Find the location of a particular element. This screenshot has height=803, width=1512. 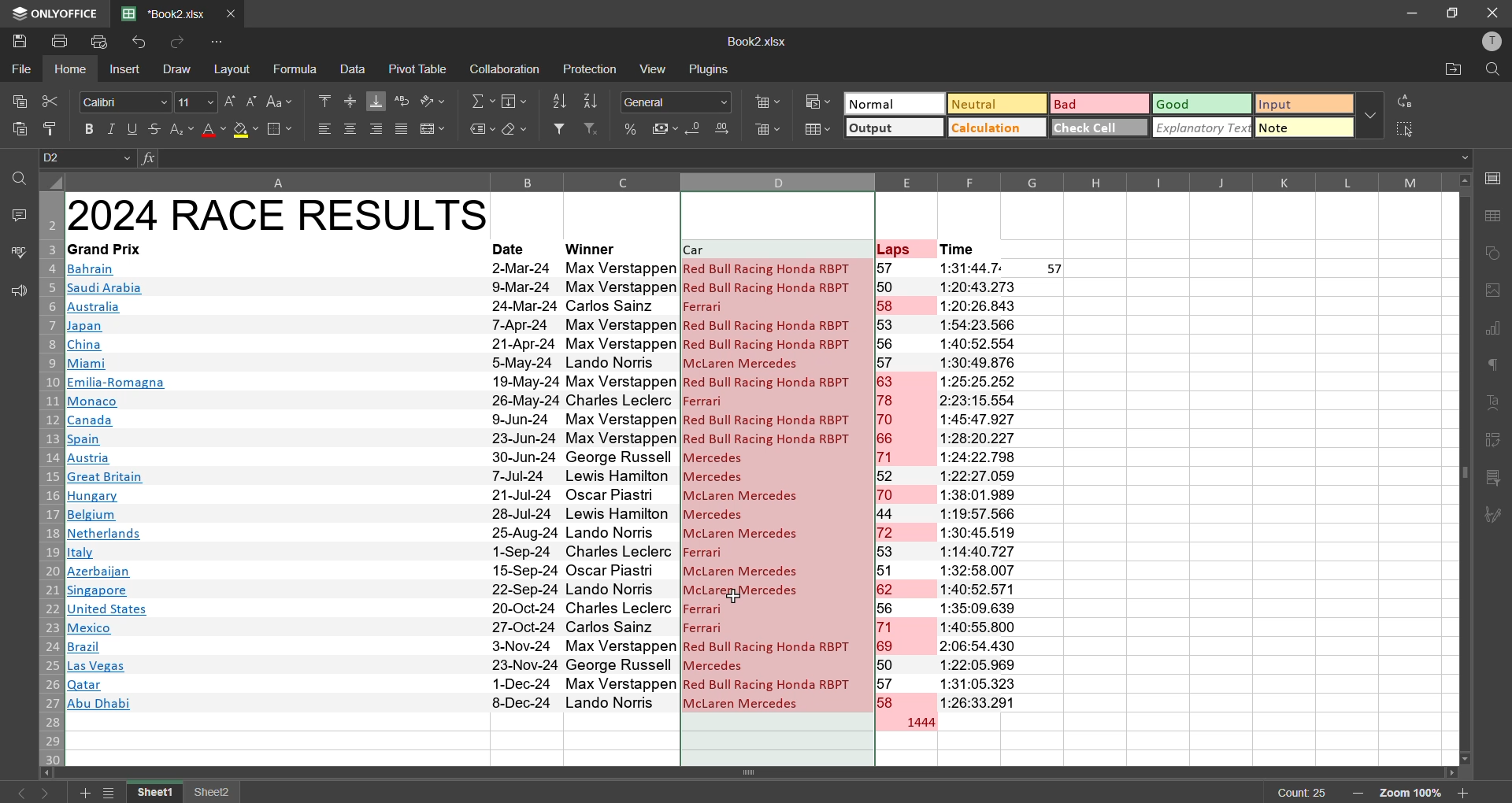

align center is located at coordinates (350, 128).